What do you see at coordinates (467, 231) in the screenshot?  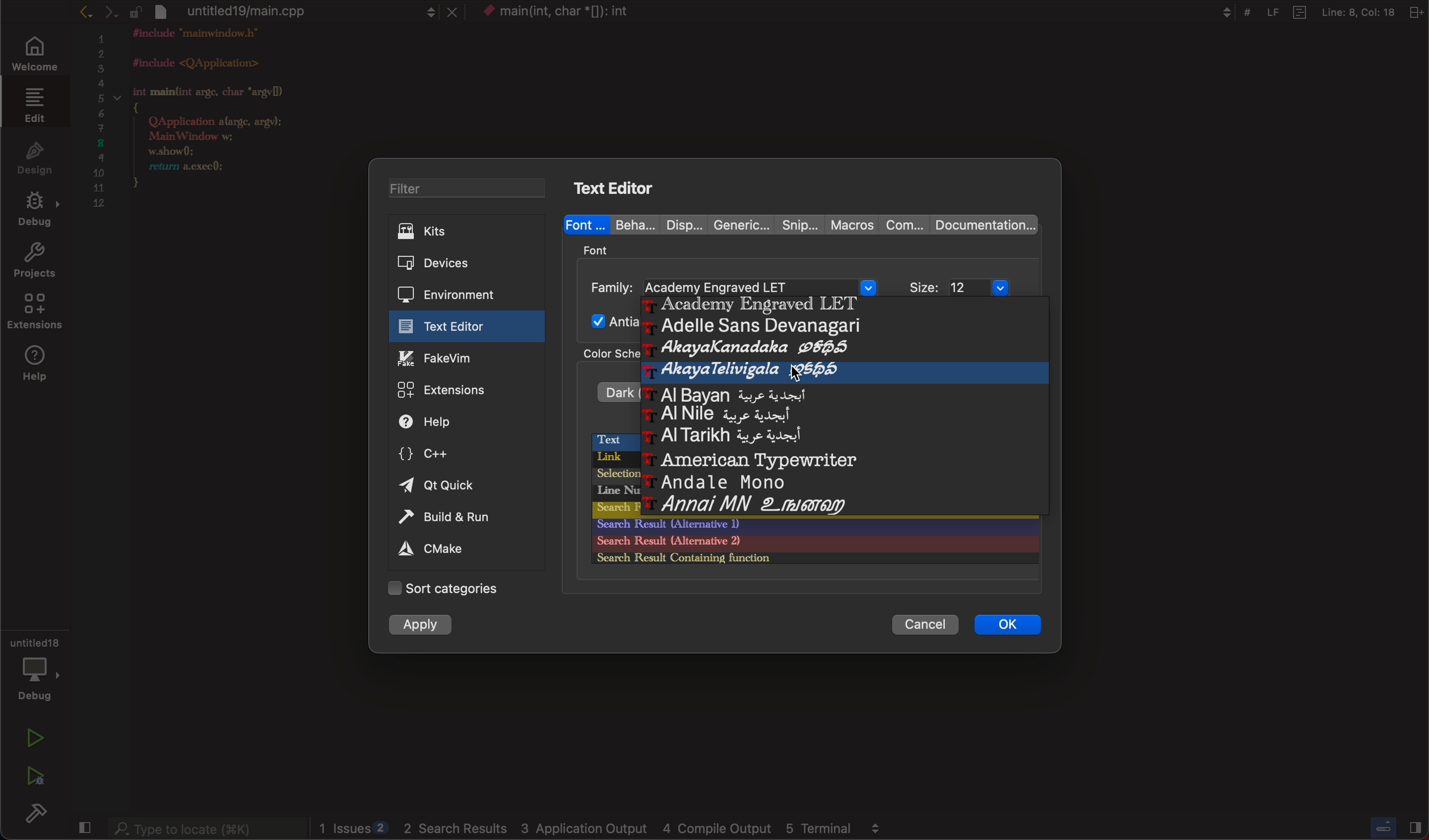 I see `kits` at bounding box center [467, 231].